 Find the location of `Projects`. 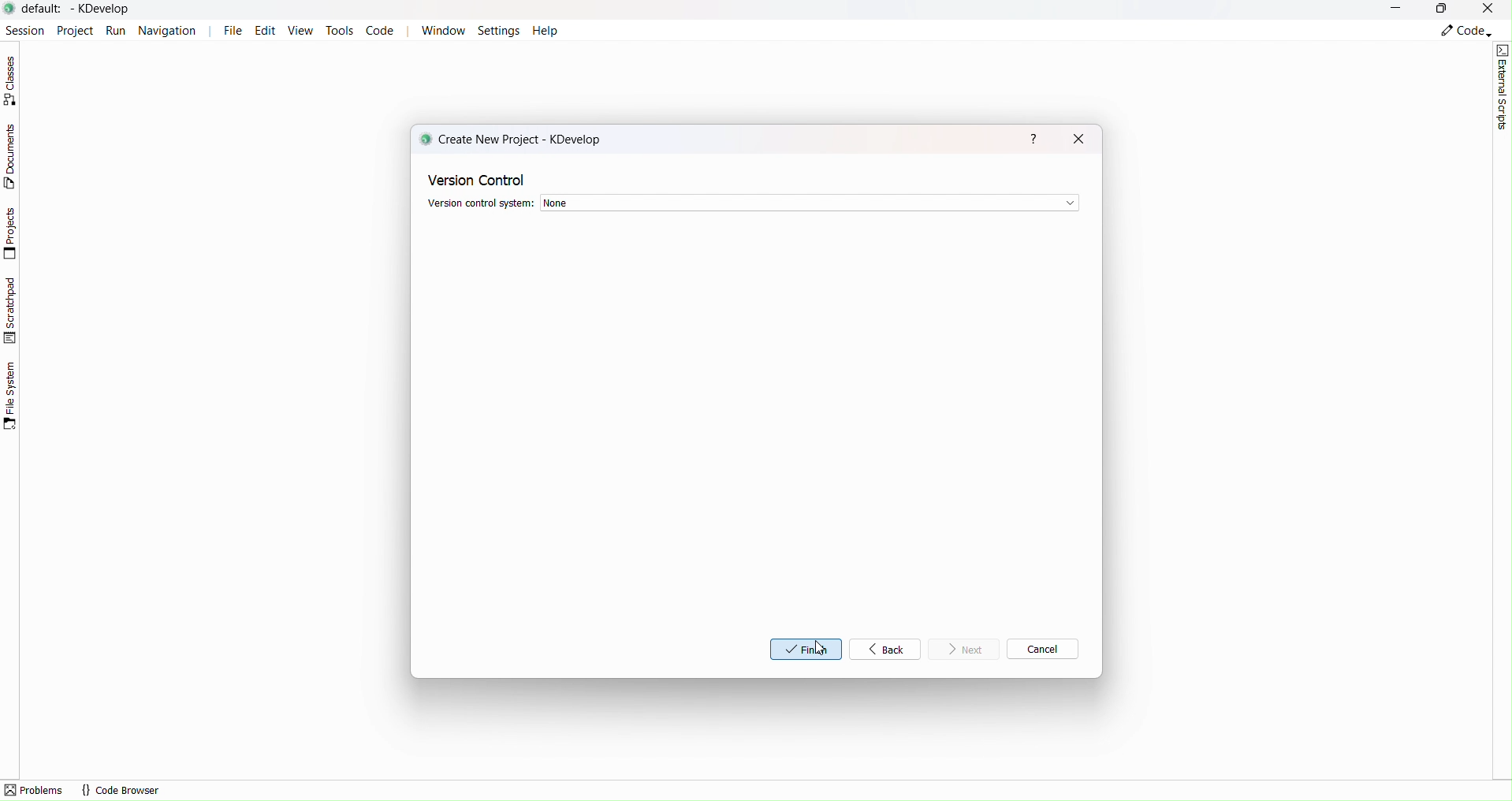

Projects is located at coordinates (13, 233).